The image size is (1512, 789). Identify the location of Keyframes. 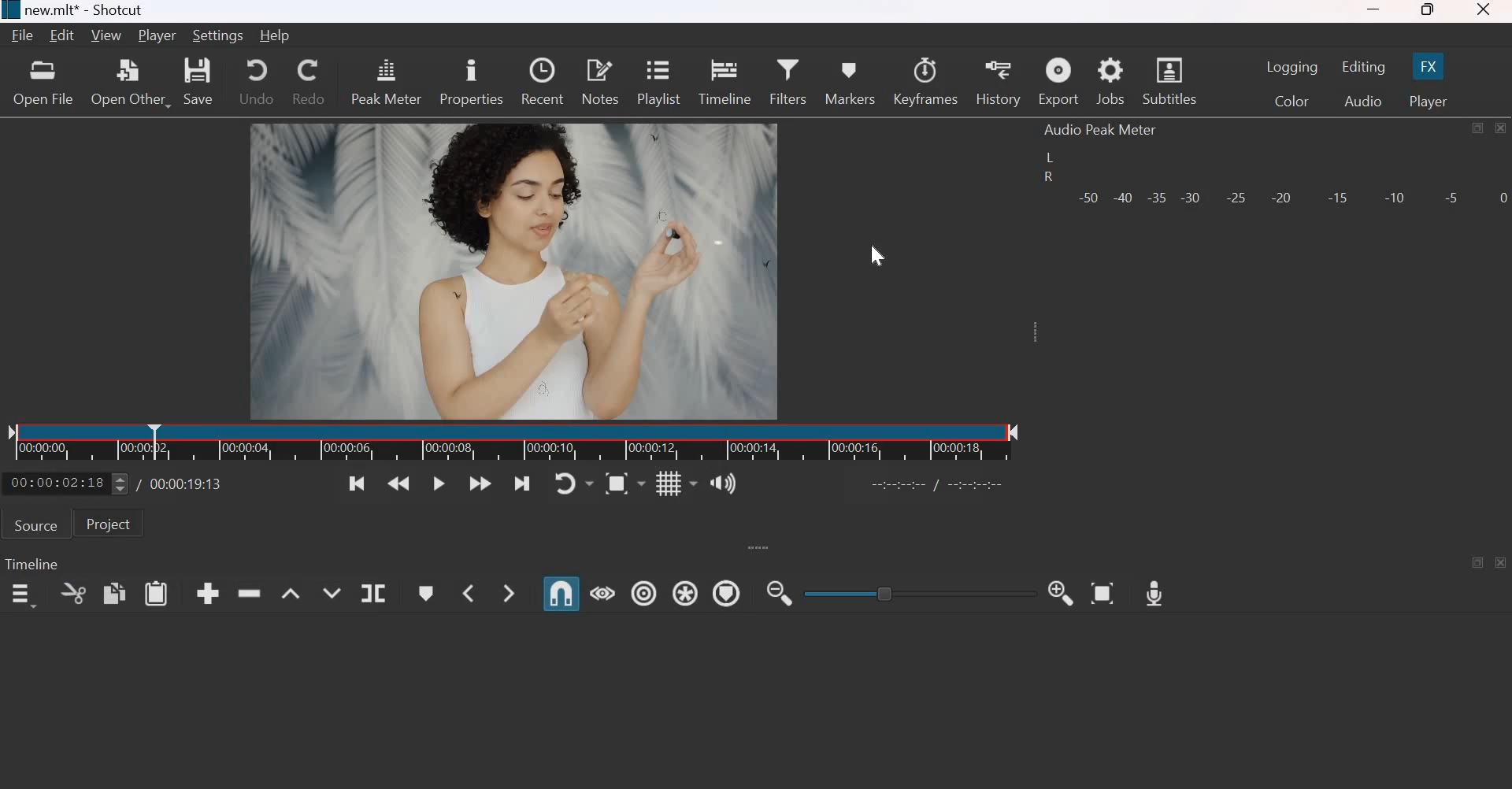
(927, 81).